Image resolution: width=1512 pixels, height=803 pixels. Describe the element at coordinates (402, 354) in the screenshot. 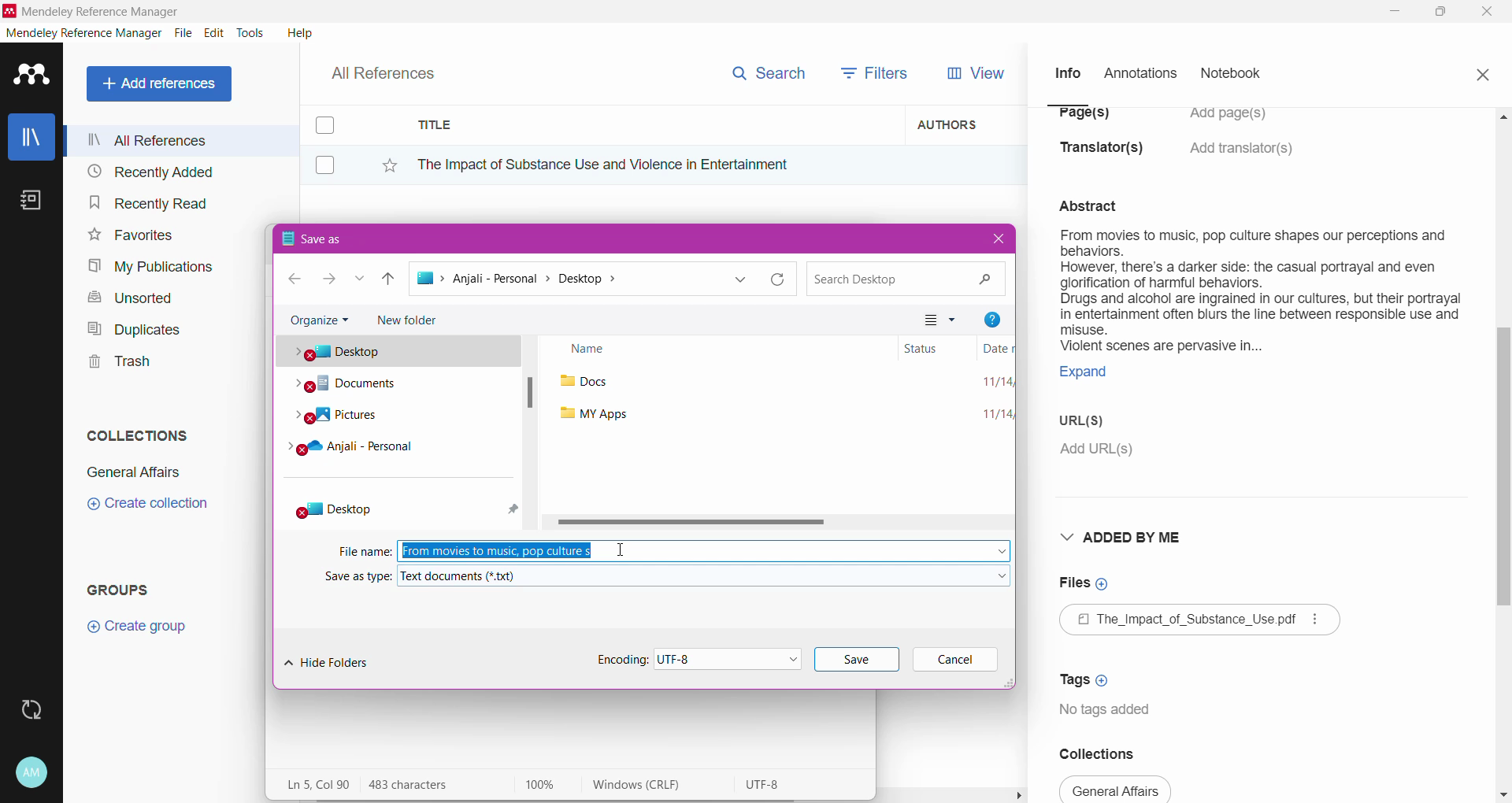

I see `Desktop` at that location.